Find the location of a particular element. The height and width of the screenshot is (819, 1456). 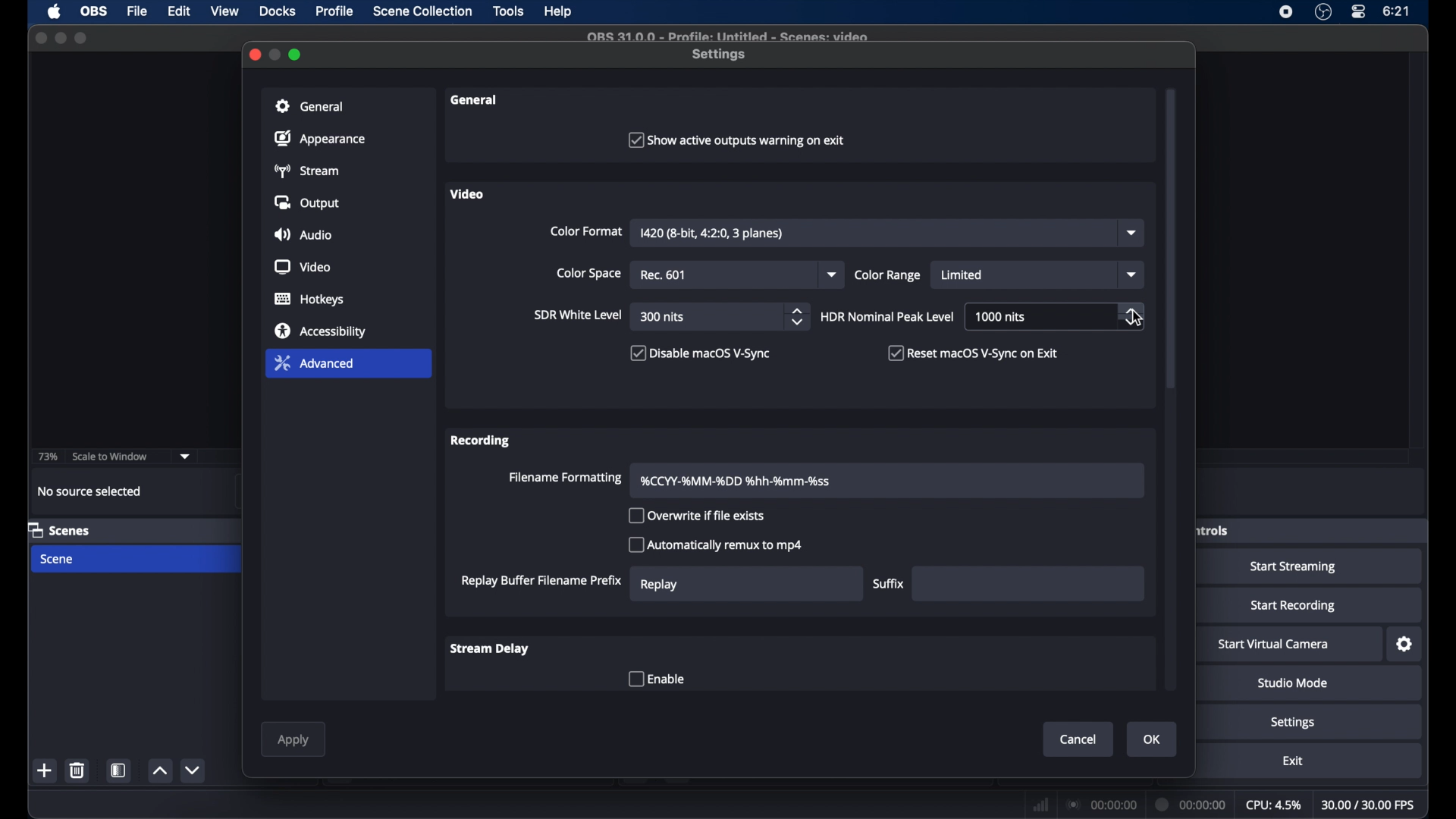

 is located at coordinates (422, 12).